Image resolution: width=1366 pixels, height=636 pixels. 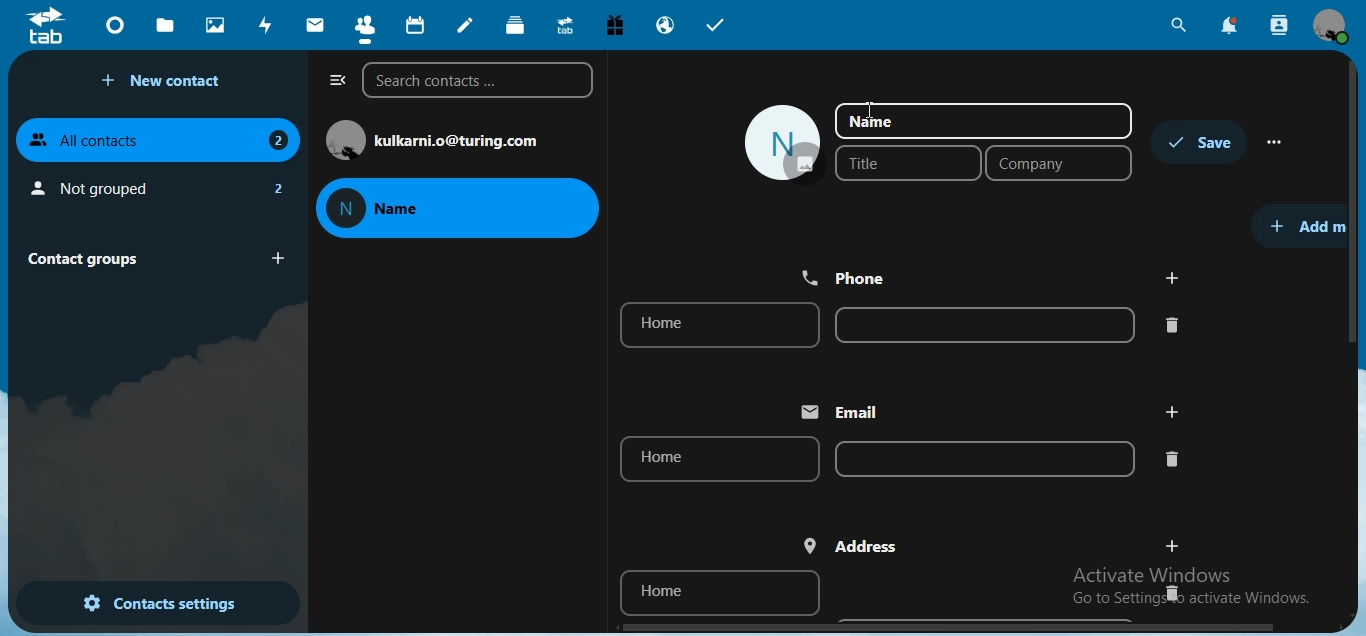 What do you see at coordinates (716, 25) in the screenshot?
I see `tasks` at bounding box center [716, 25].